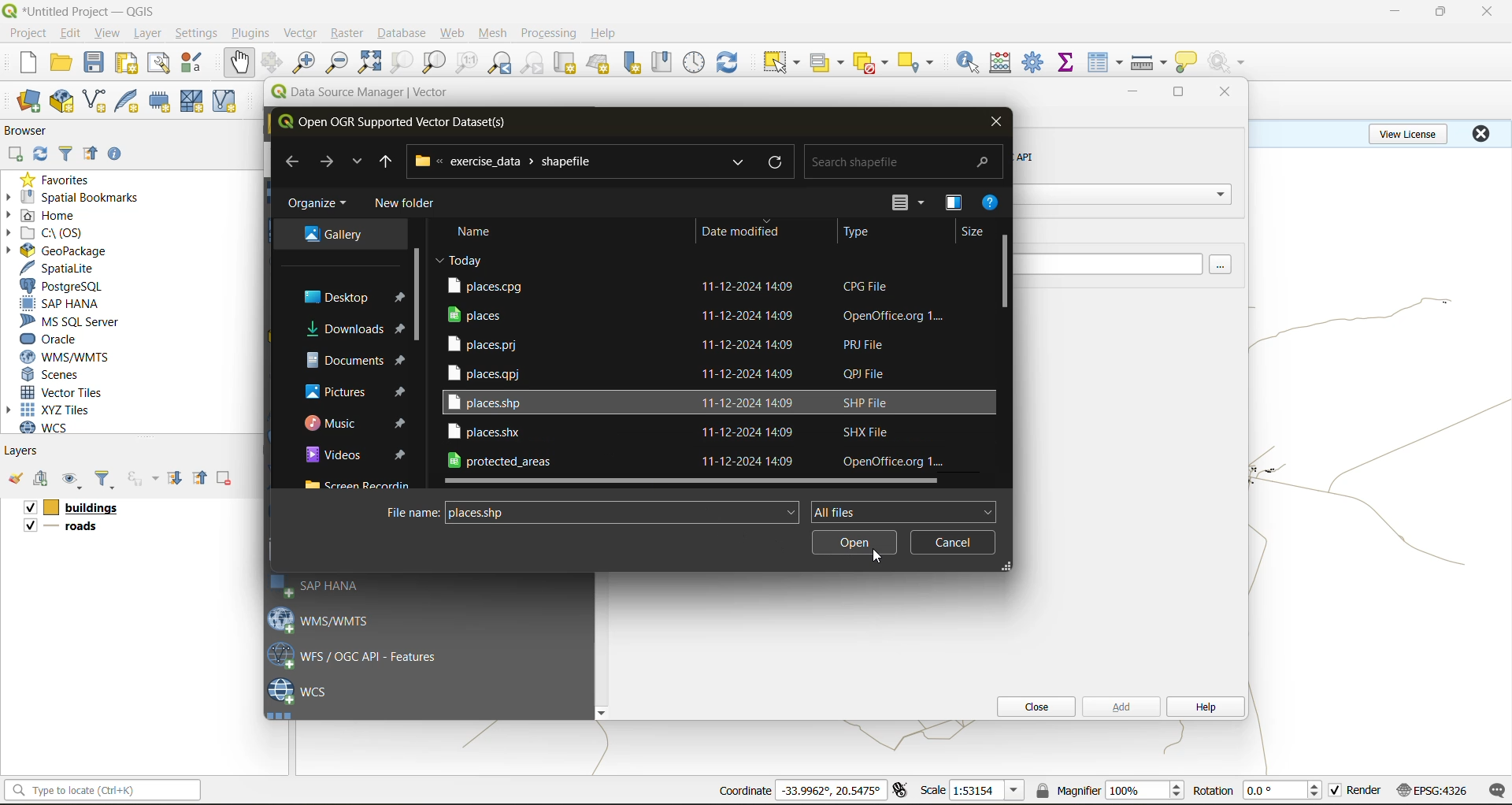  I want to click on spatial bookmarks, so click(73, 198).